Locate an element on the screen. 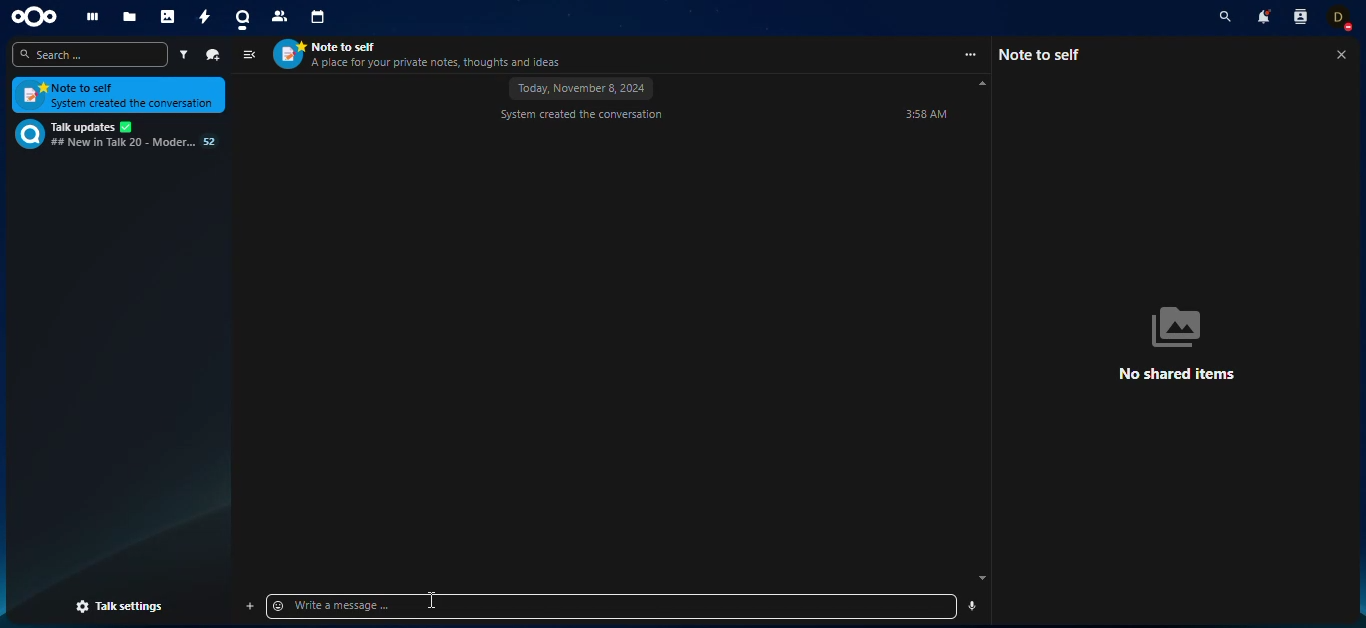  more is located at coordinates (970, 55).